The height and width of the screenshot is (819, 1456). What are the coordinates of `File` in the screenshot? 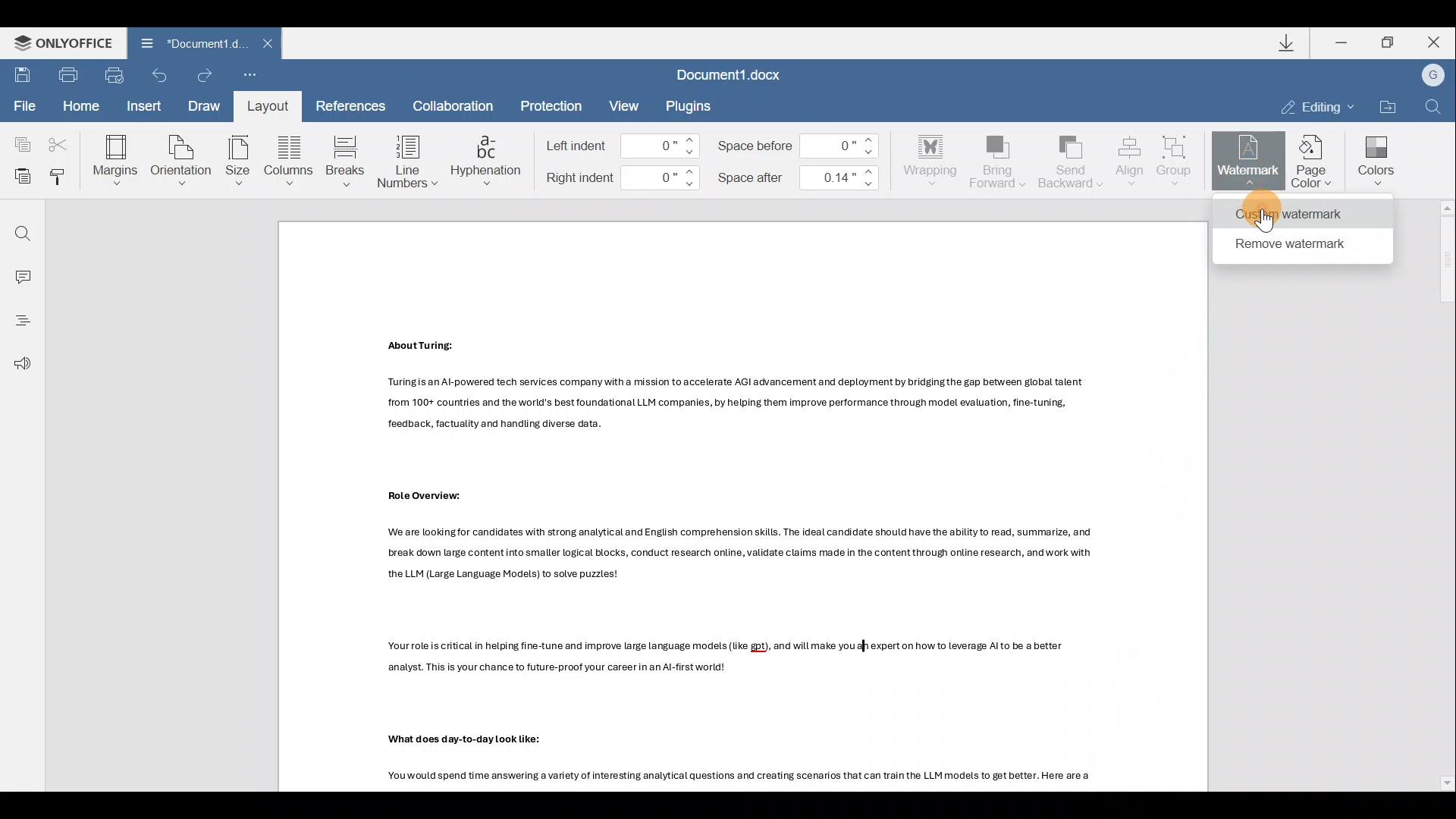 It's located at (21, 106).